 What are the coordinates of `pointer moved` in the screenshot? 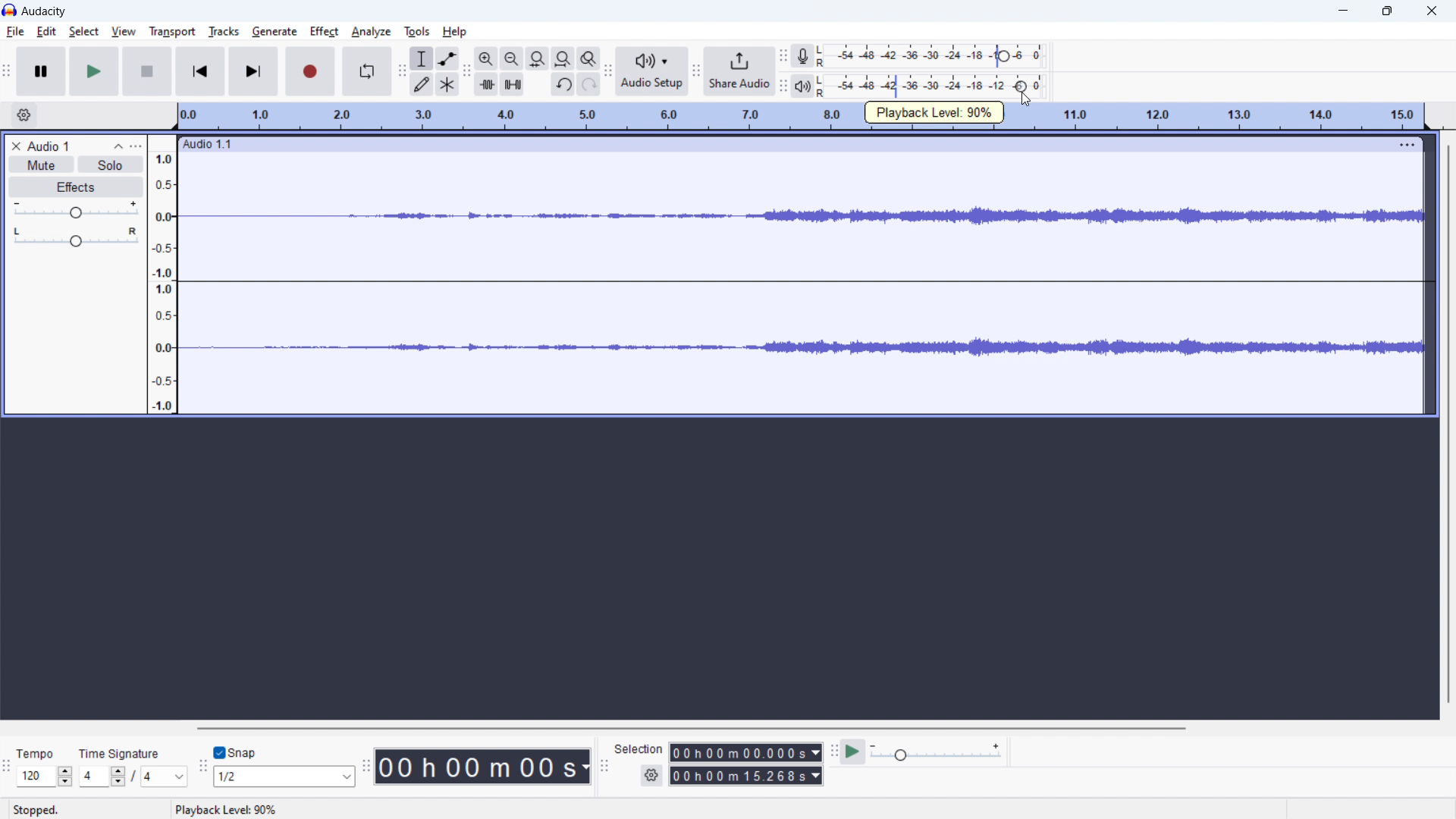 It's located at (1022, 86).